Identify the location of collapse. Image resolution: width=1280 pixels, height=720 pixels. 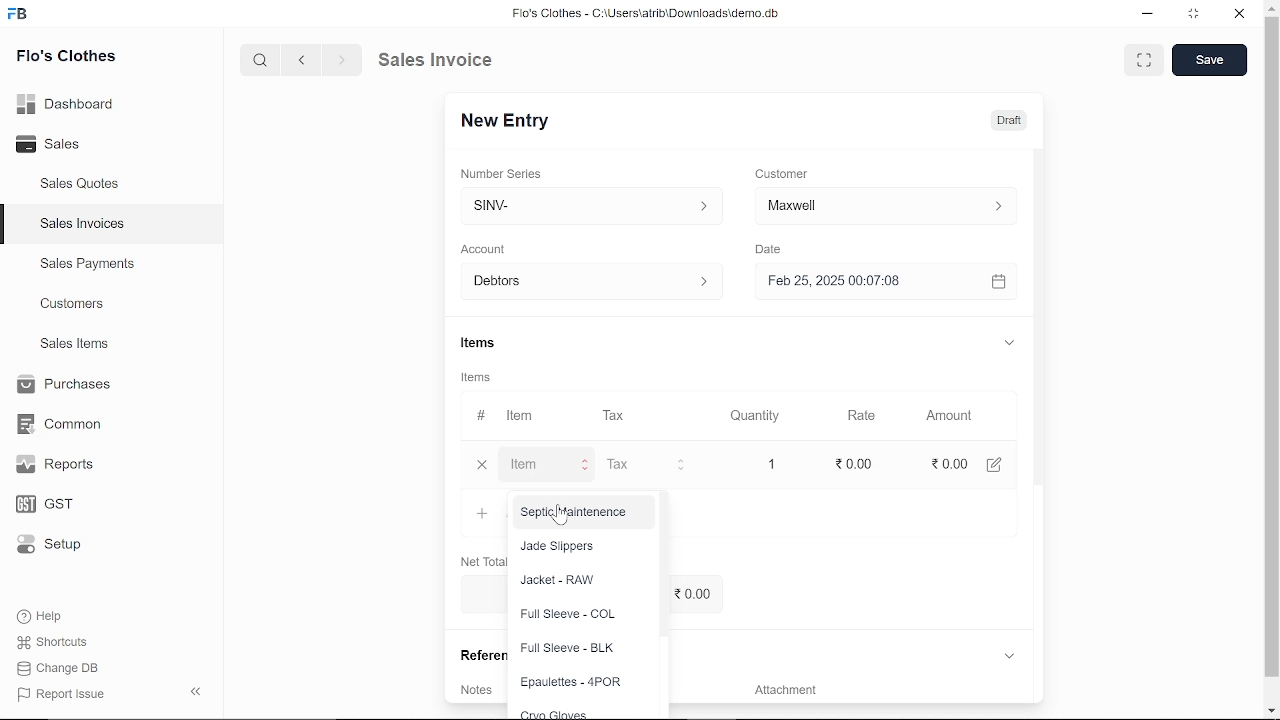
(198, 693).